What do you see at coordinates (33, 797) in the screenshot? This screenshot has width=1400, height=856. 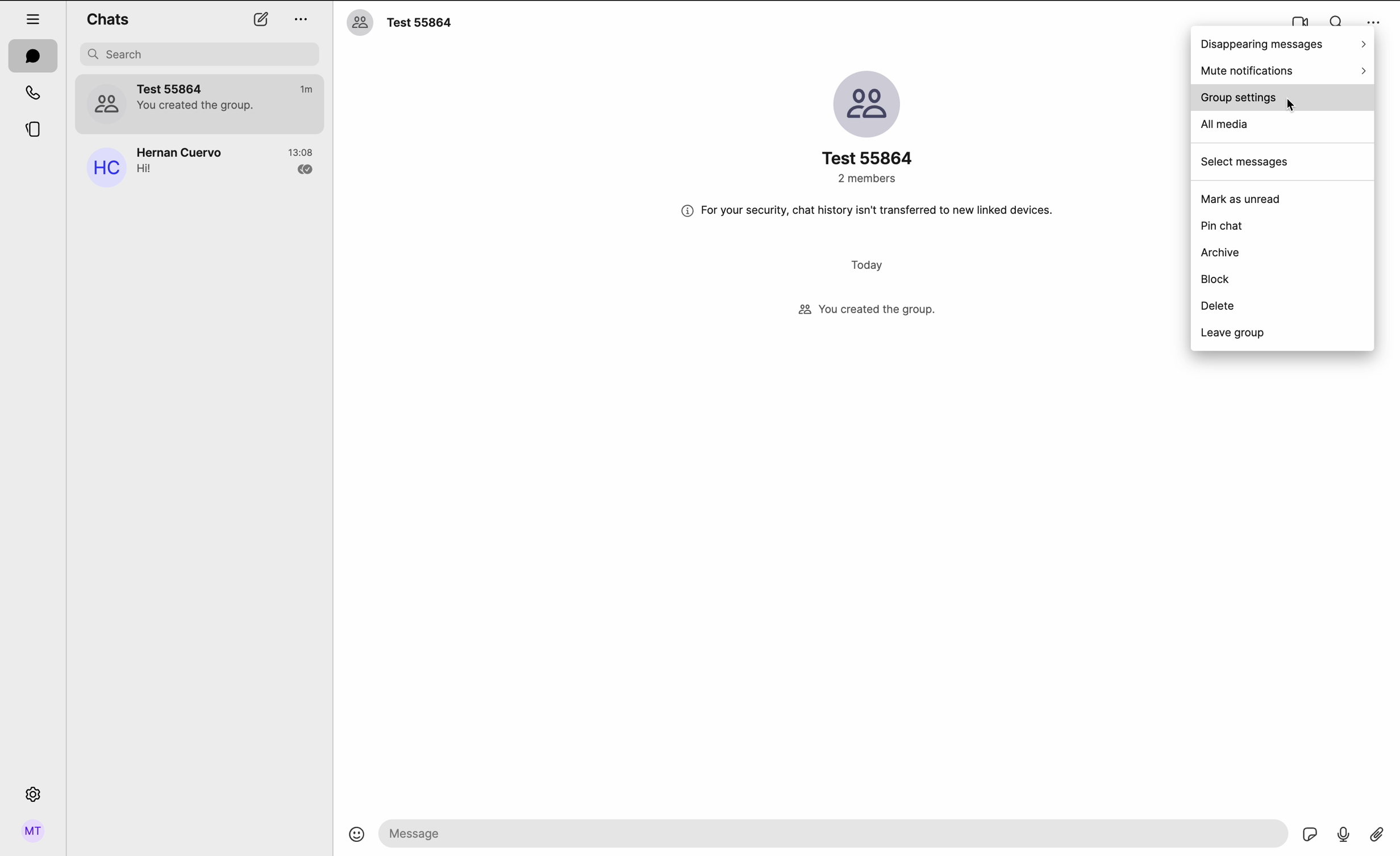 I see `settings` at bounding box center [33, 797].